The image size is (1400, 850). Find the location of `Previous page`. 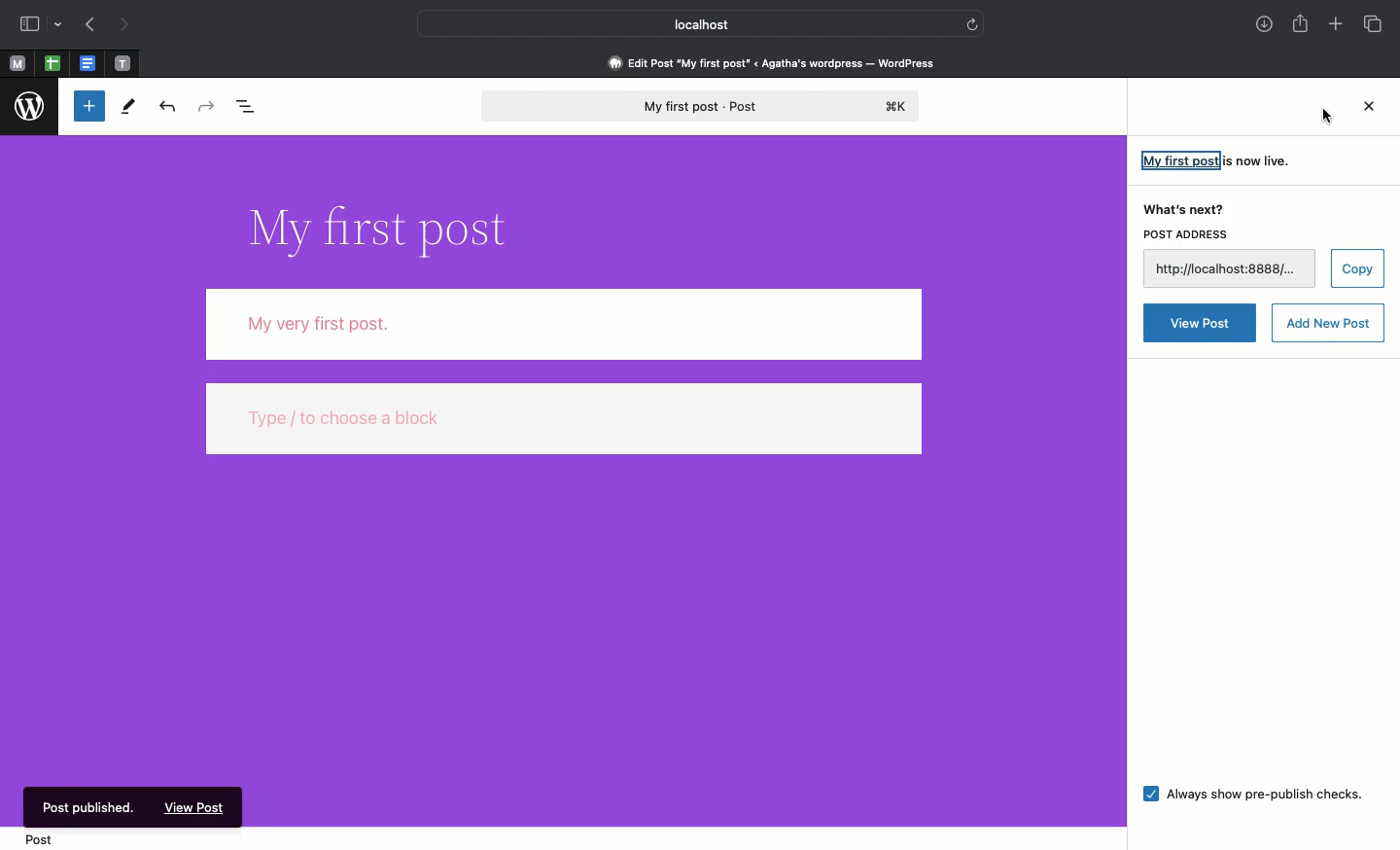

Previous page is located at coordinates (88, 25).